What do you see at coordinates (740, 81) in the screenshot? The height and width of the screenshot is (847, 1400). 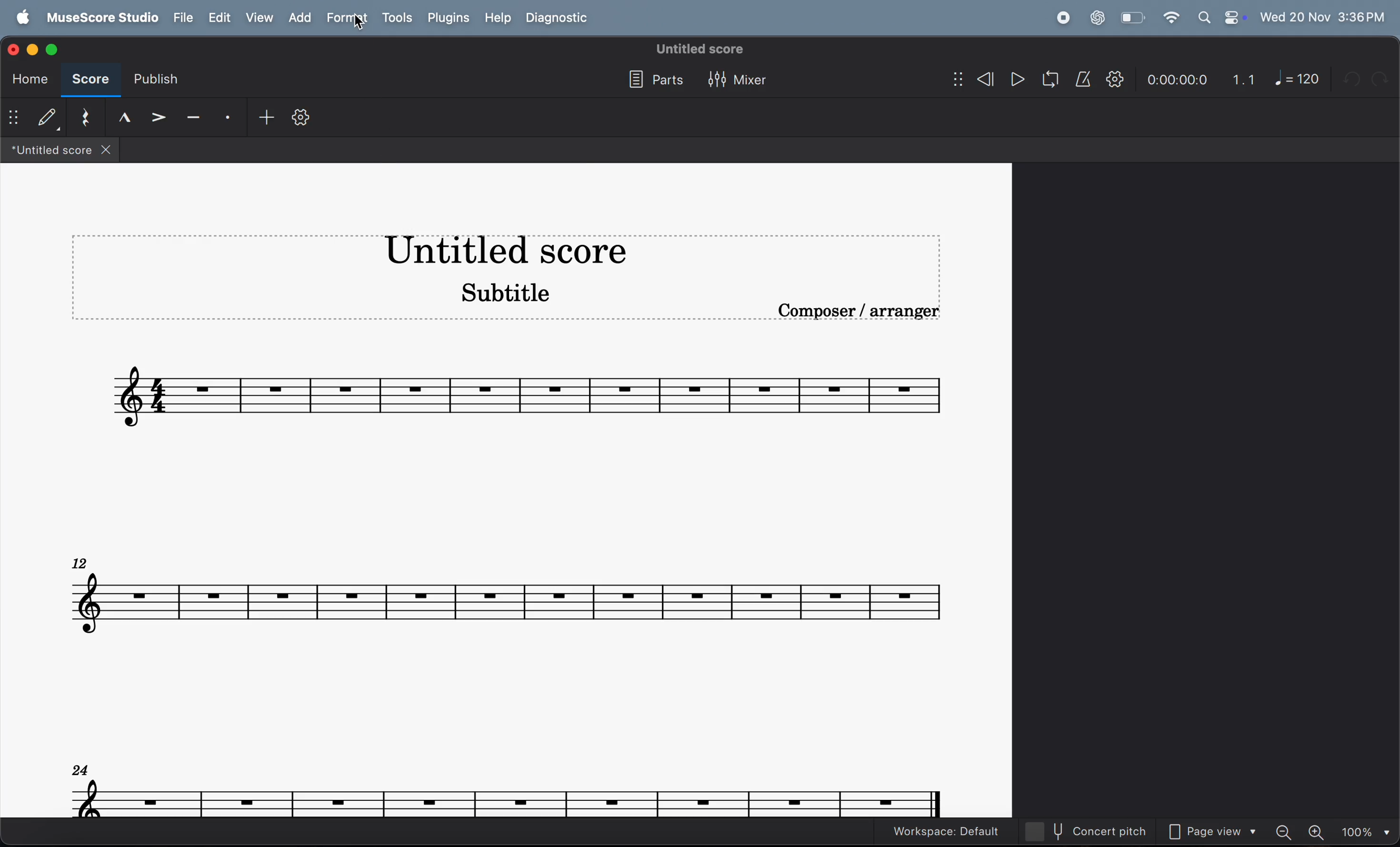 I see `mixer` at bounding box center [740, 81].